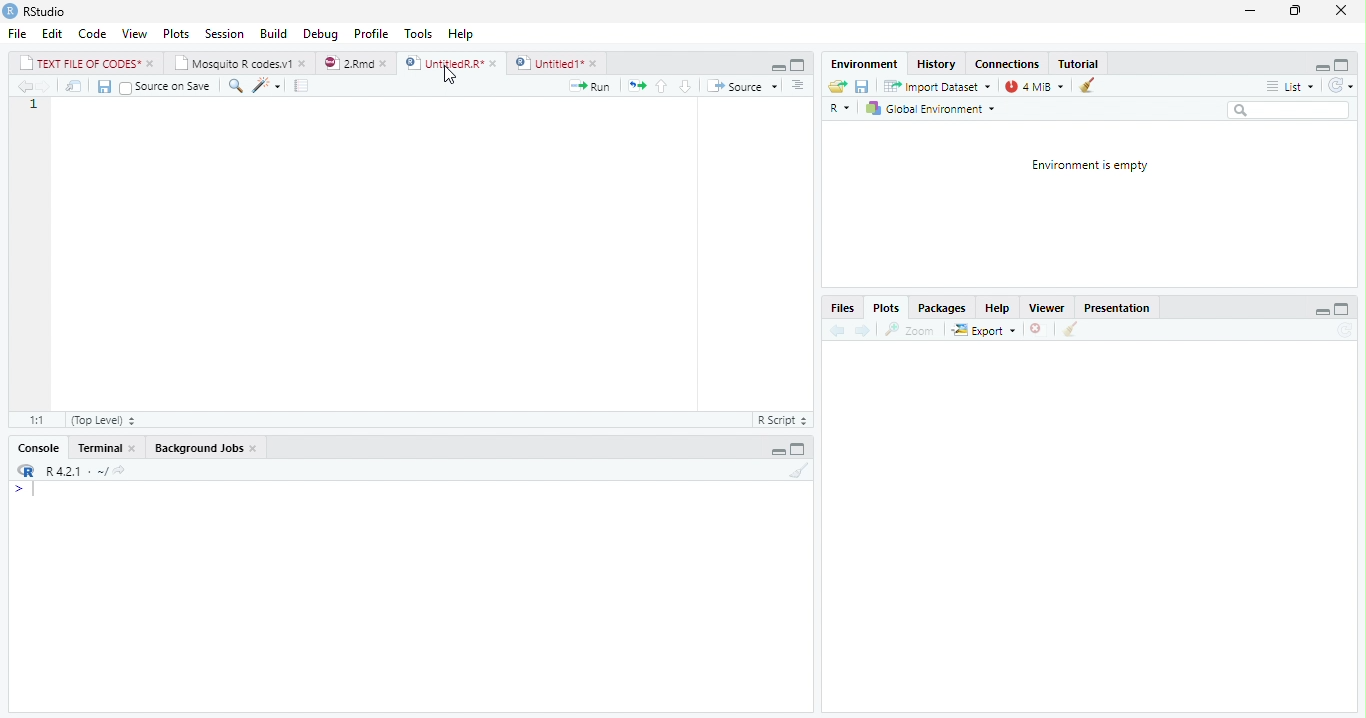 The height and width of the screenshot is (718, 1366). Describe the element at coordinates (356, 62) in the screenshot. I see `2rmd` at that location.